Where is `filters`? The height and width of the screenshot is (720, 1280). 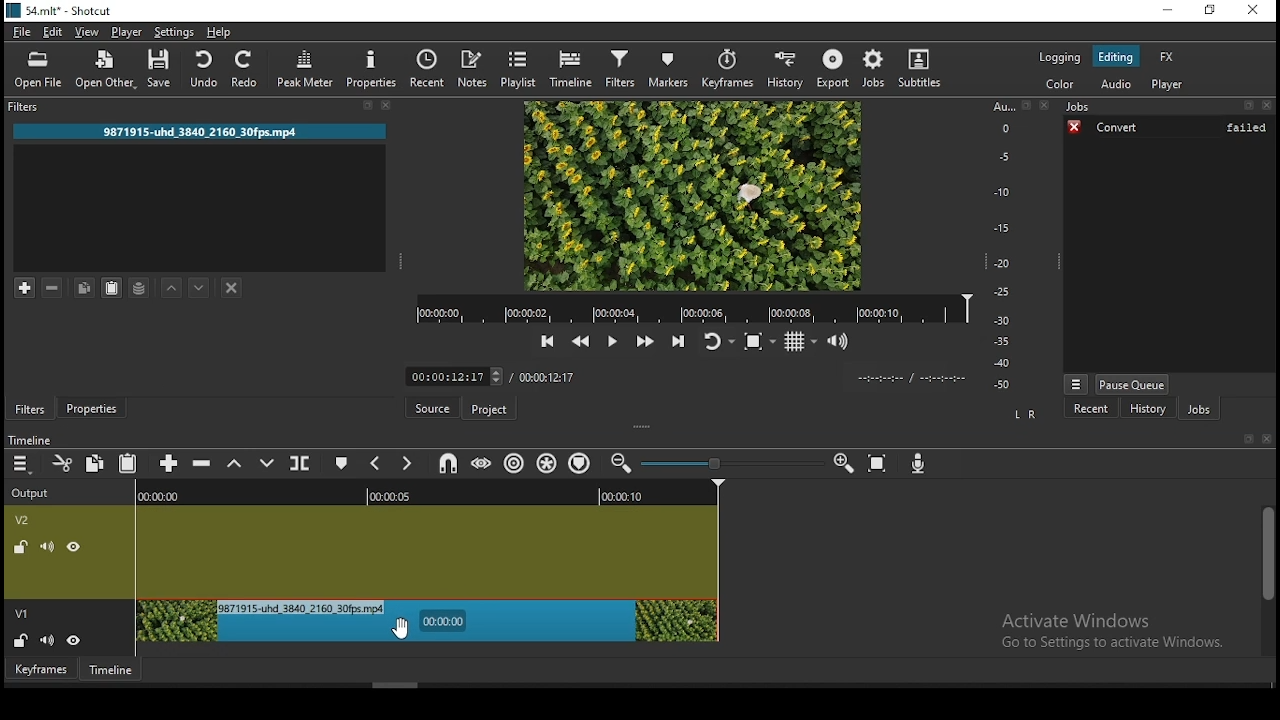
filters is located at coordinates (29, 408).